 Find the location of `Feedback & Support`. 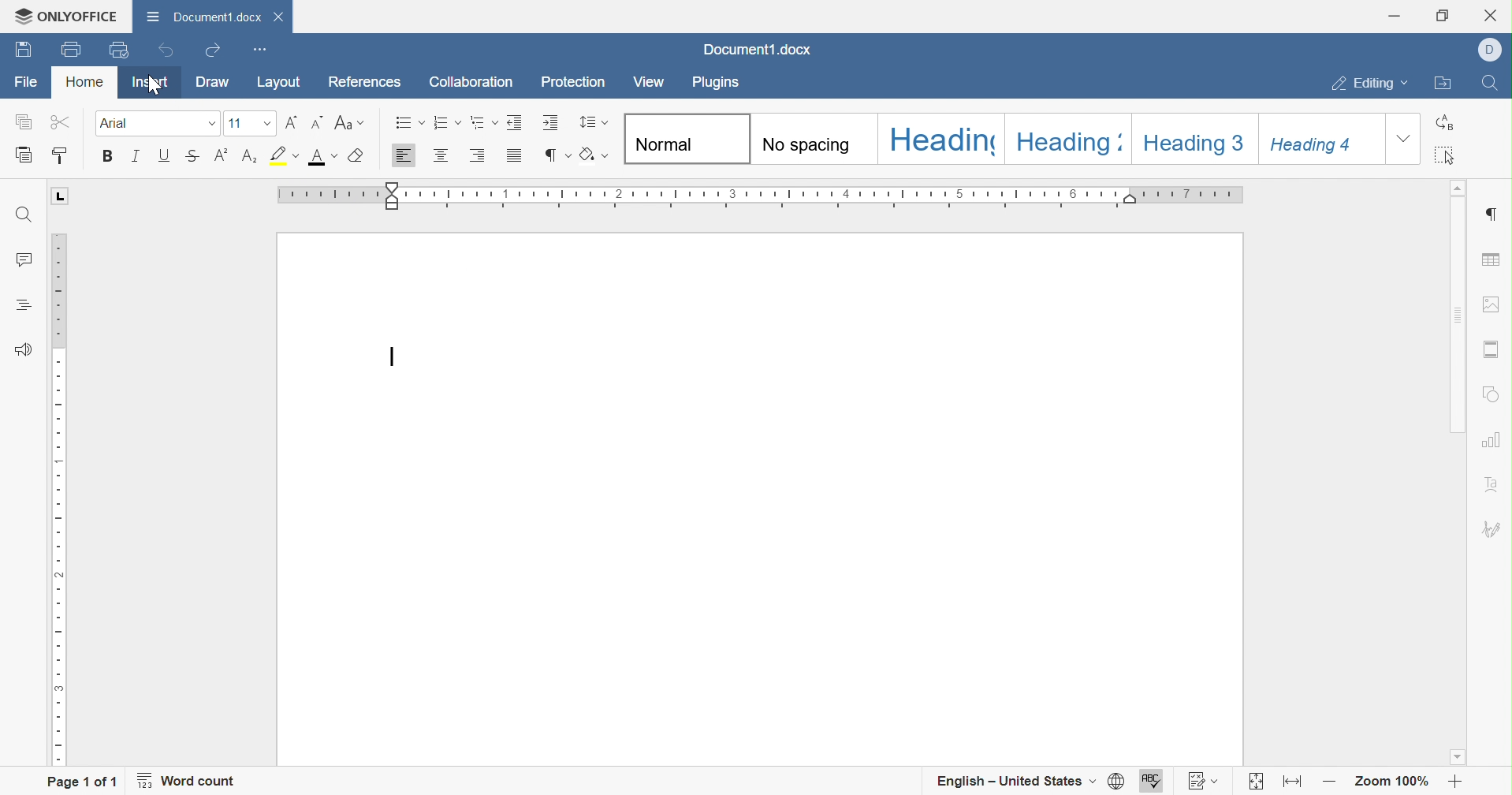

Feedback & Support is located at coordinates (22, 349).